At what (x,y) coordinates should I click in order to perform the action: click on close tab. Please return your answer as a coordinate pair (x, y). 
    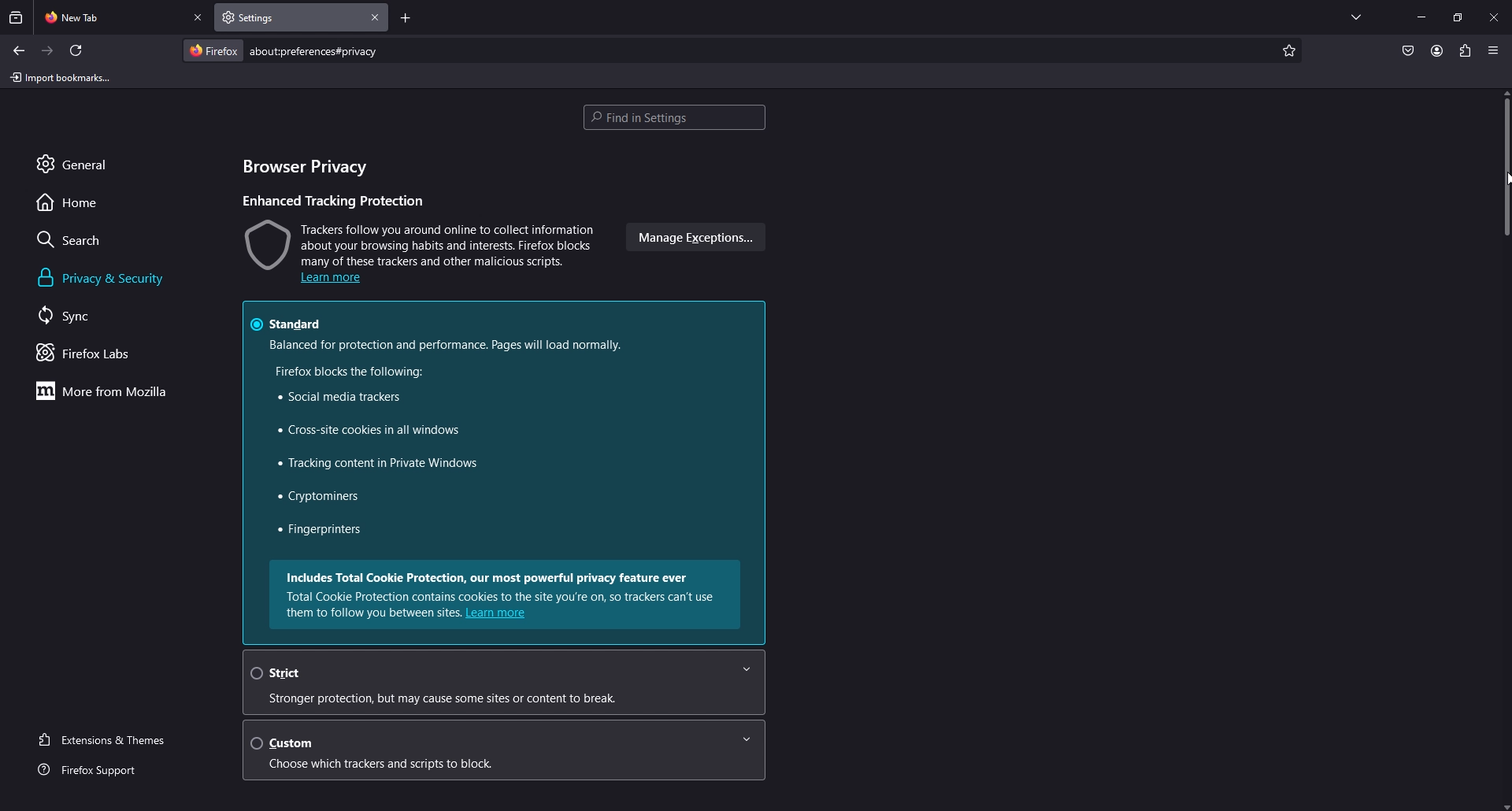
    Looking at the image, I should click on (199, 18).